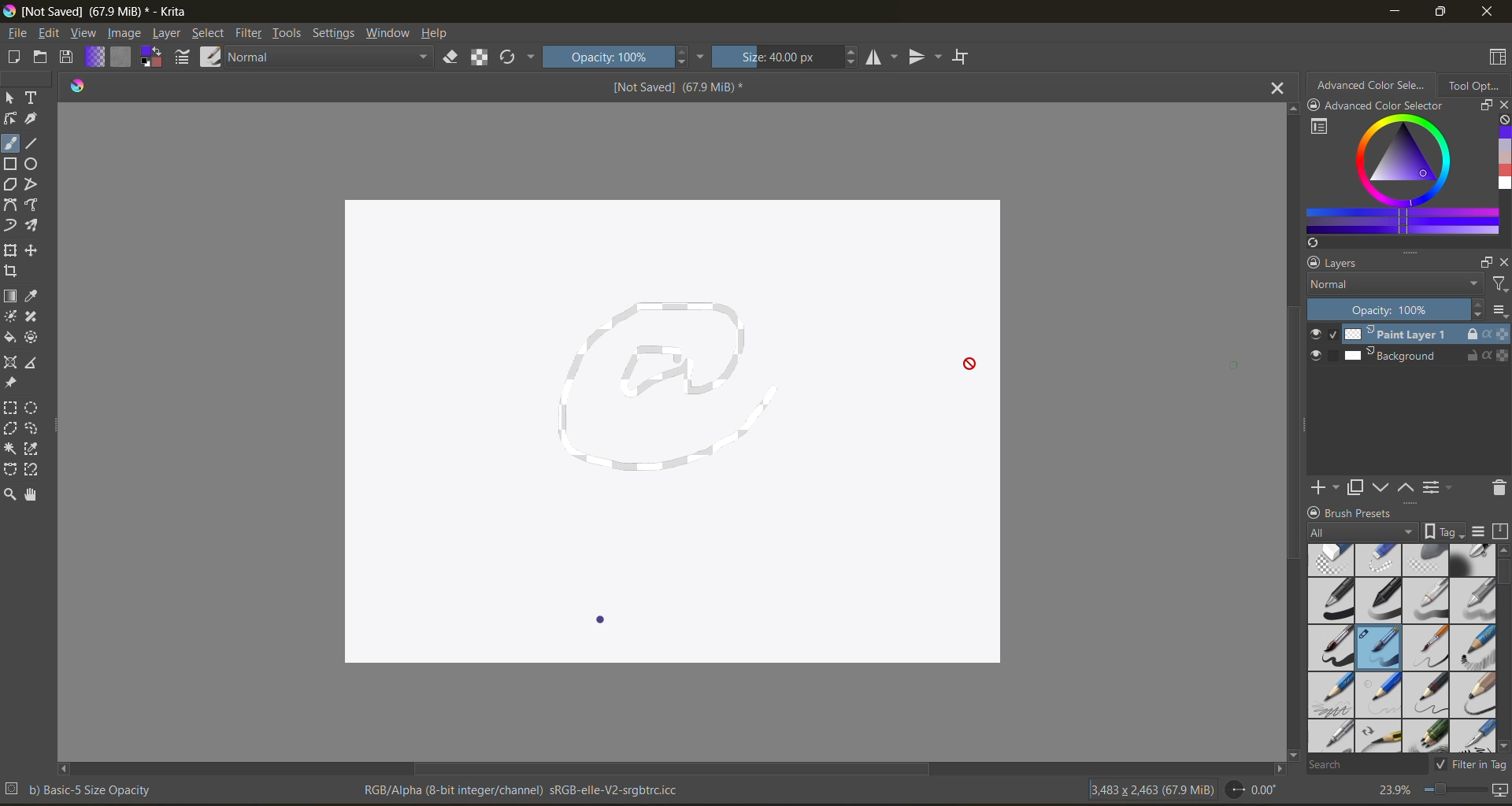 The height and width of the screenshot is (806, 1512). I want to click on filter, so click(250, 34).